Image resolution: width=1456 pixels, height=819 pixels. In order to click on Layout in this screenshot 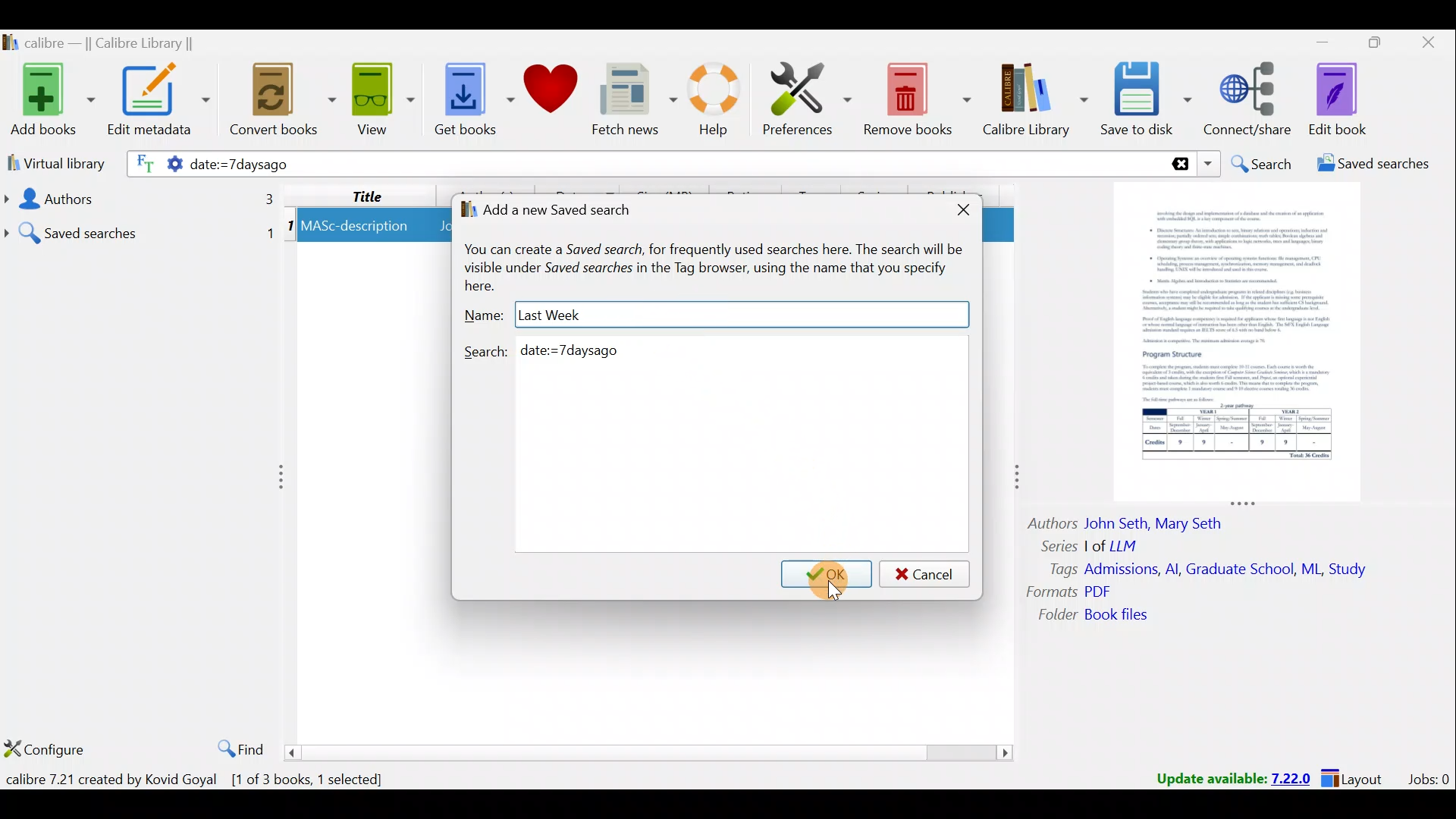, I will do `click(1357, 777)`.